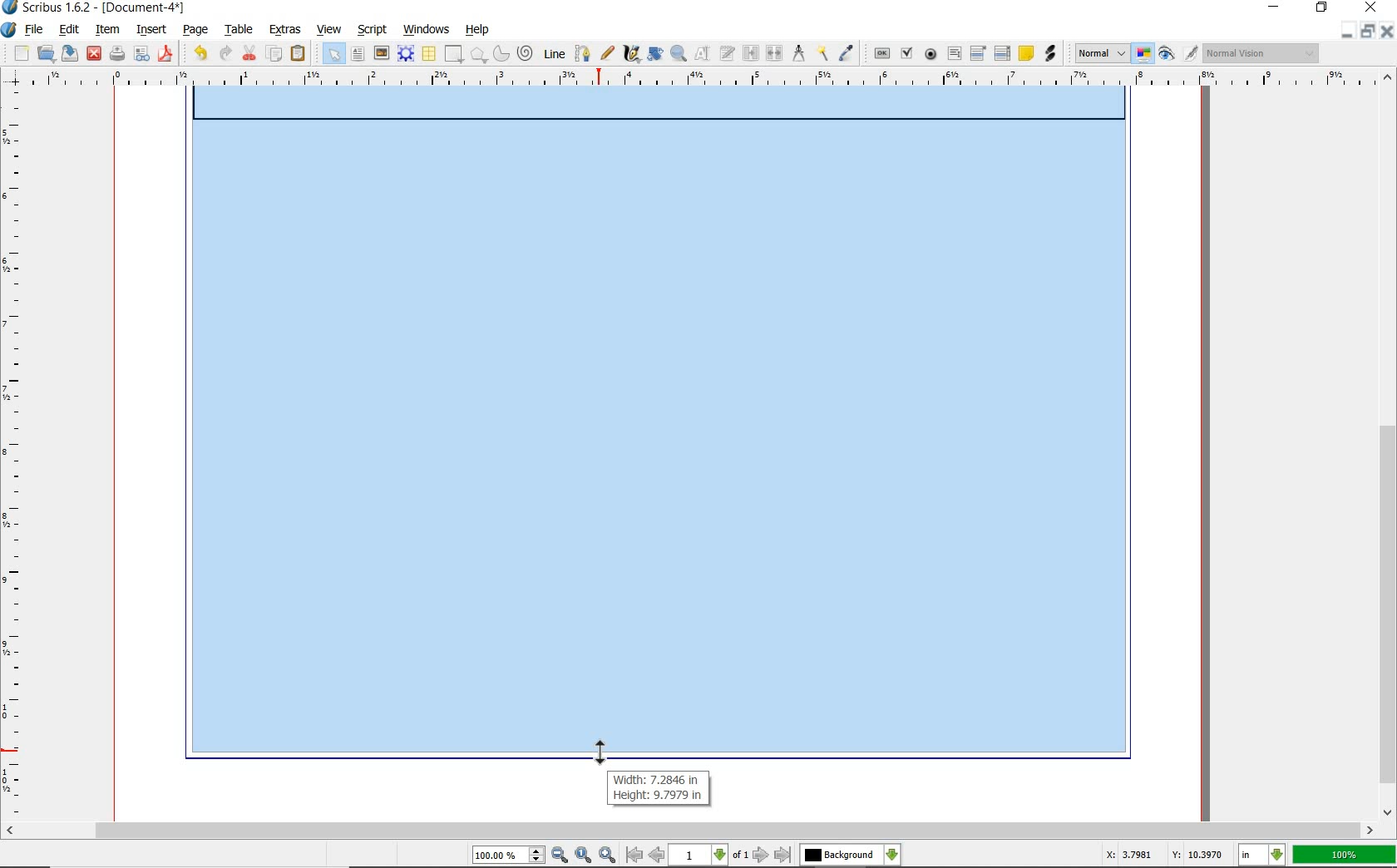 This screenshot has width=1397, height=868. I want to click on script, so click(374, 30).